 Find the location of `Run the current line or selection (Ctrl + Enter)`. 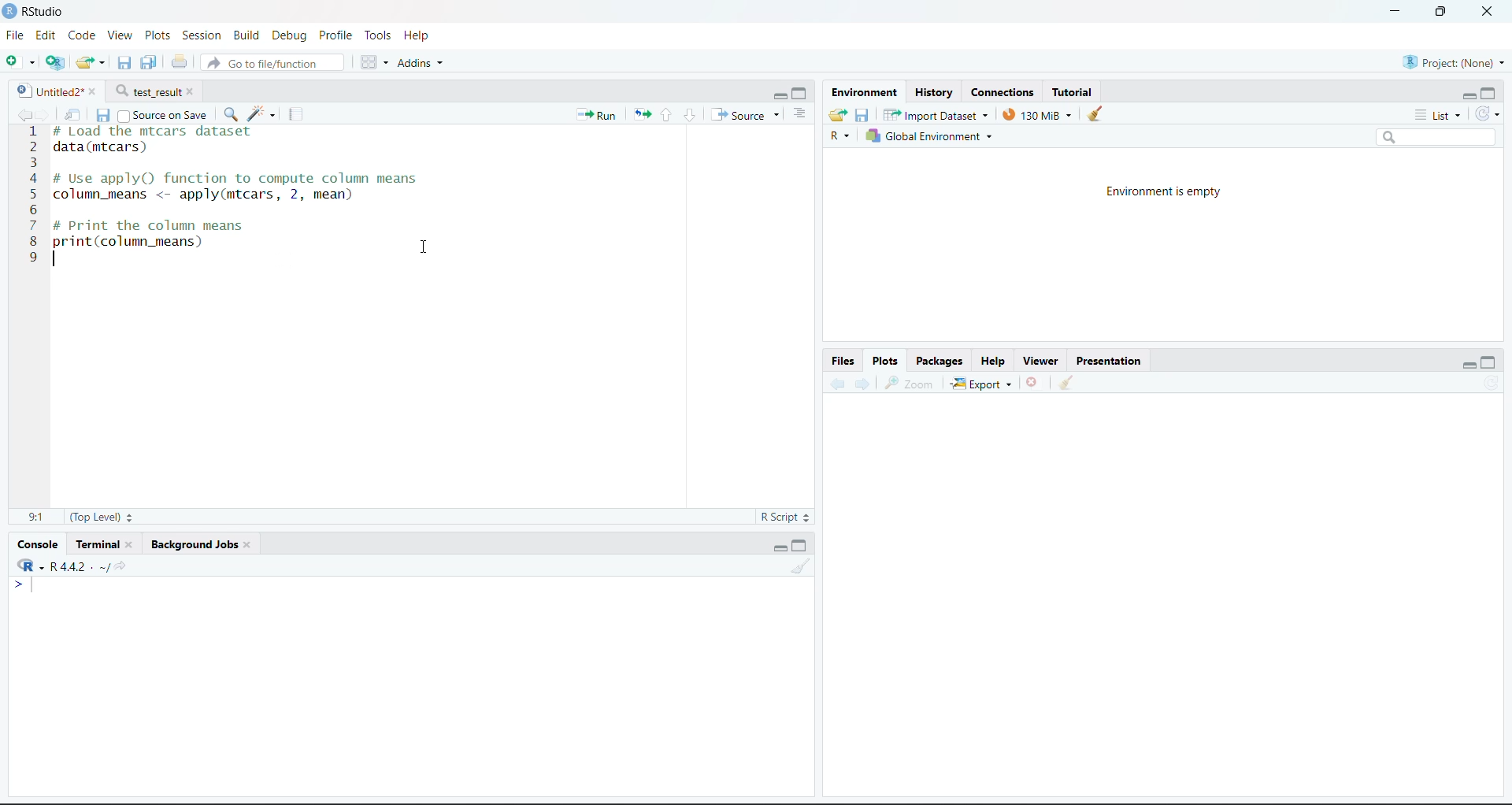

Run the current line or selection (Ctrl + Enter) is located at coordinates (593, 116).